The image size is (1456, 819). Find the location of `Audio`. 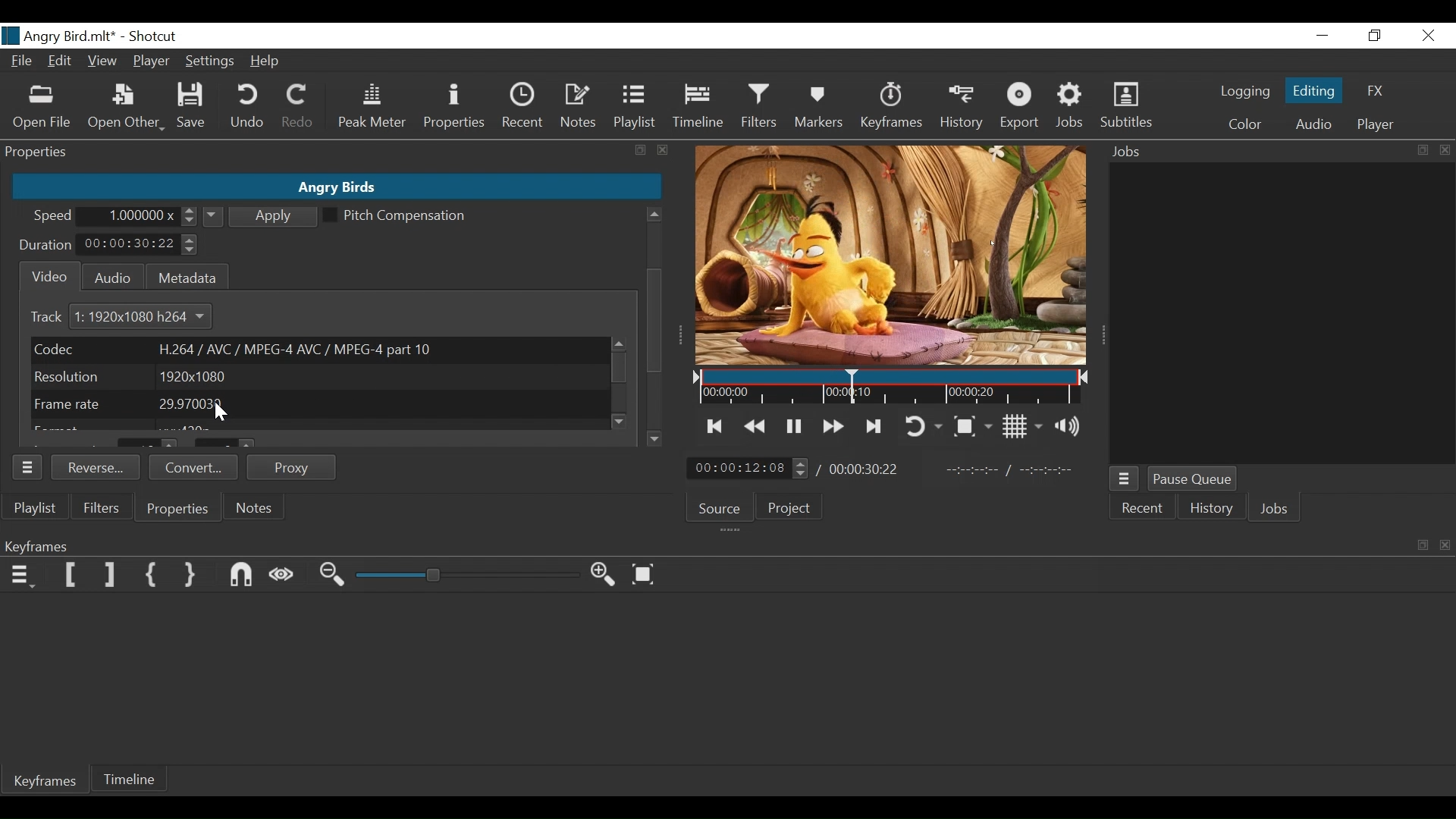

Audio is located at coordinates (108, 276).